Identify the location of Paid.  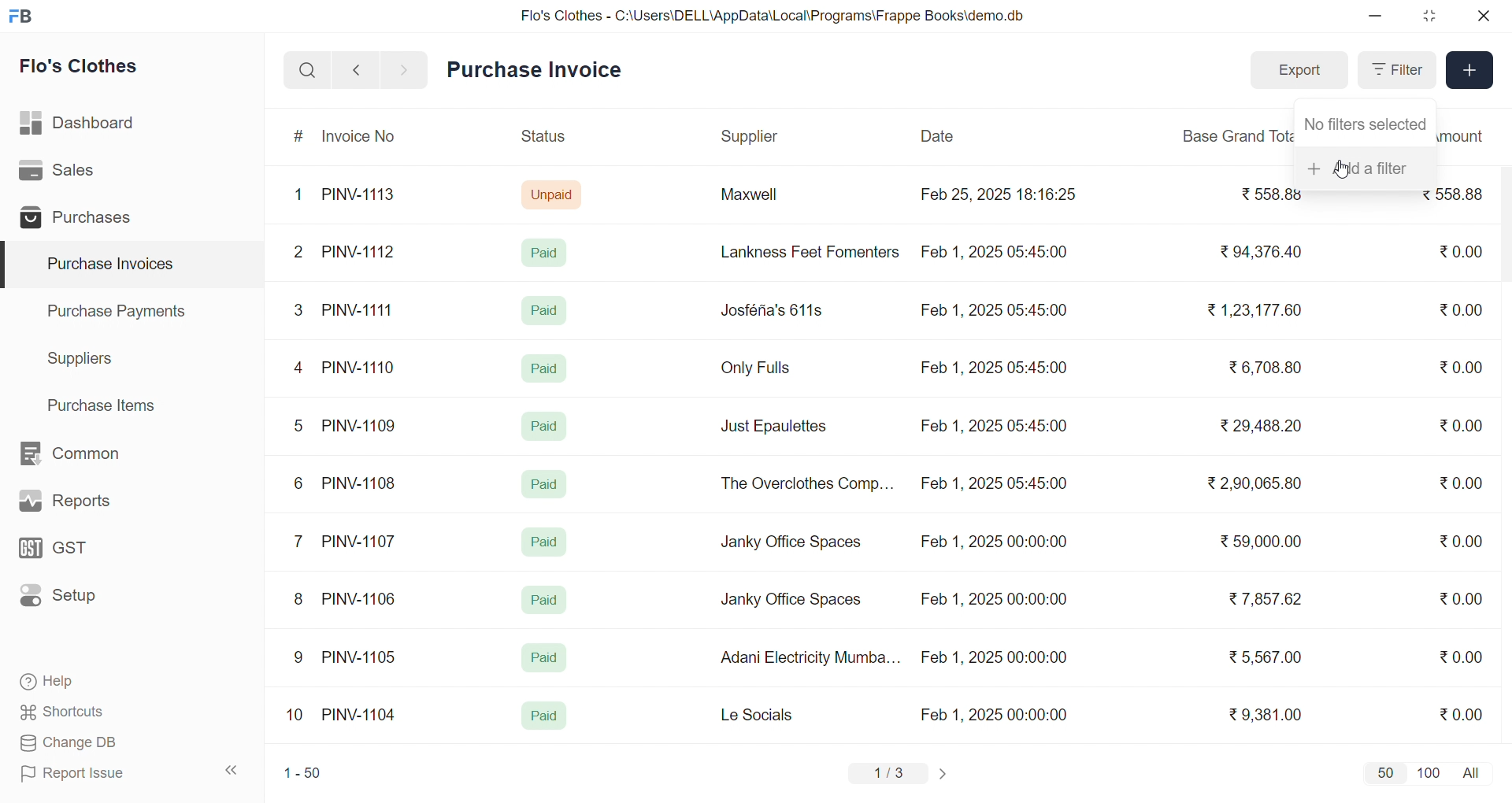
(545, 542).